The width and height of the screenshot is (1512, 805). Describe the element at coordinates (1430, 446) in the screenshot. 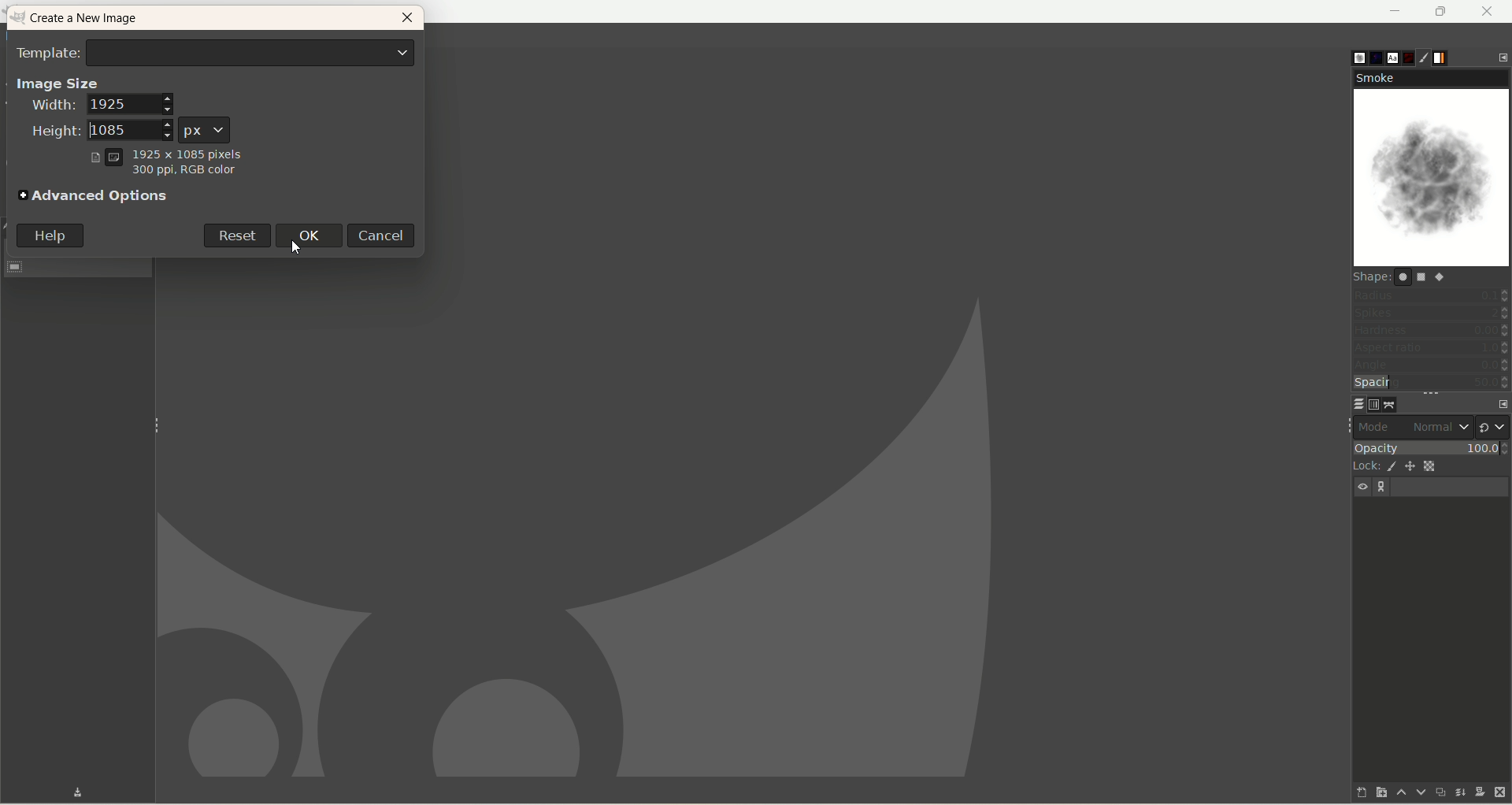

I see `opacity` at that location.